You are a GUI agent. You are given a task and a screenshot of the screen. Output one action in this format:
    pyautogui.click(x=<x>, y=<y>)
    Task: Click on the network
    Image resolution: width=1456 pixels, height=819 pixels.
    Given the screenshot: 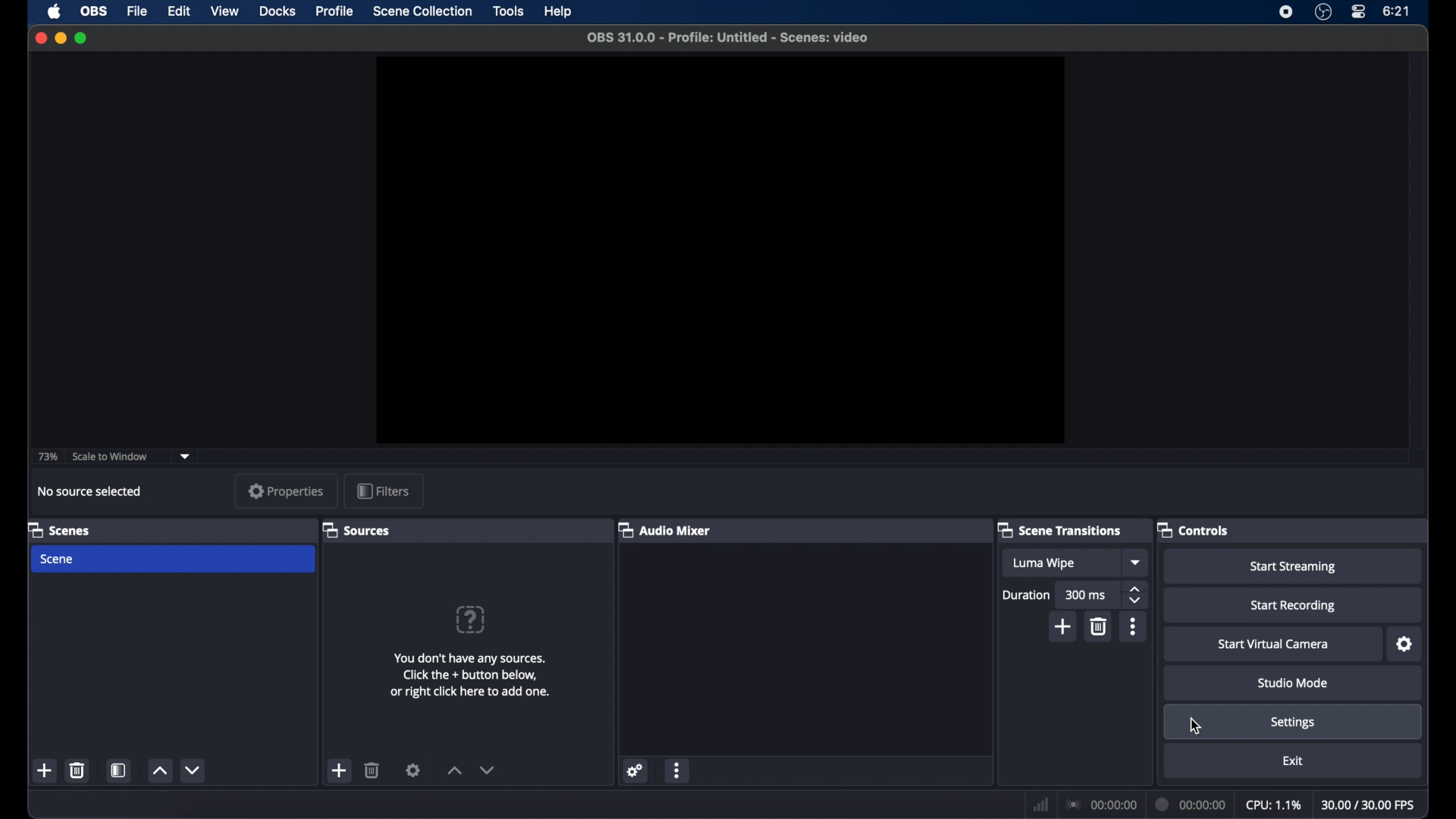 What is the action you would take?
    pyautogui.click(x=1038, y=804)
    